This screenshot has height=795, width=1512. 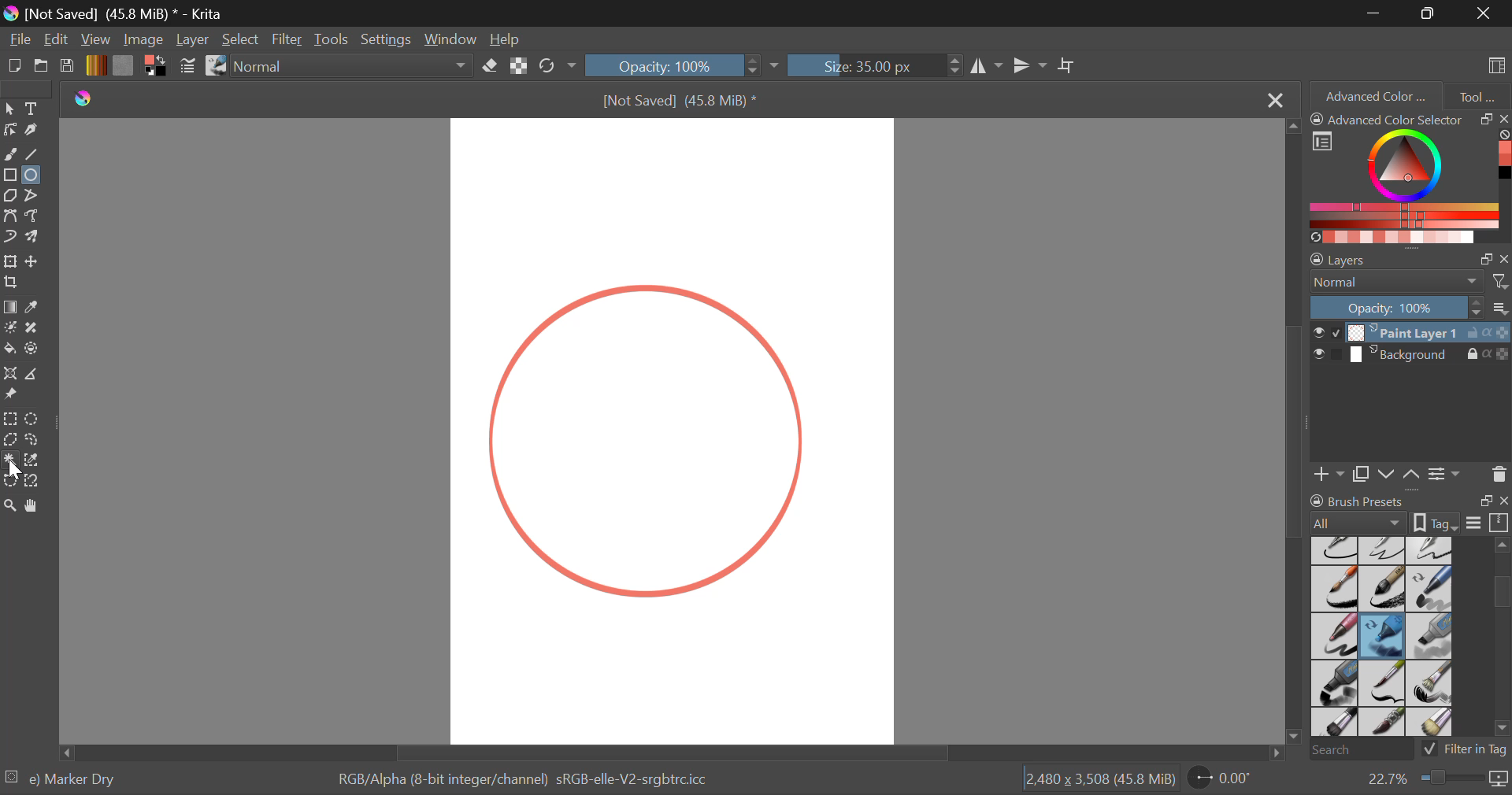 What do you see at coordinates (1069, 66) in the screenshot?
I see `Crop` at bounding box center [1069, 66].